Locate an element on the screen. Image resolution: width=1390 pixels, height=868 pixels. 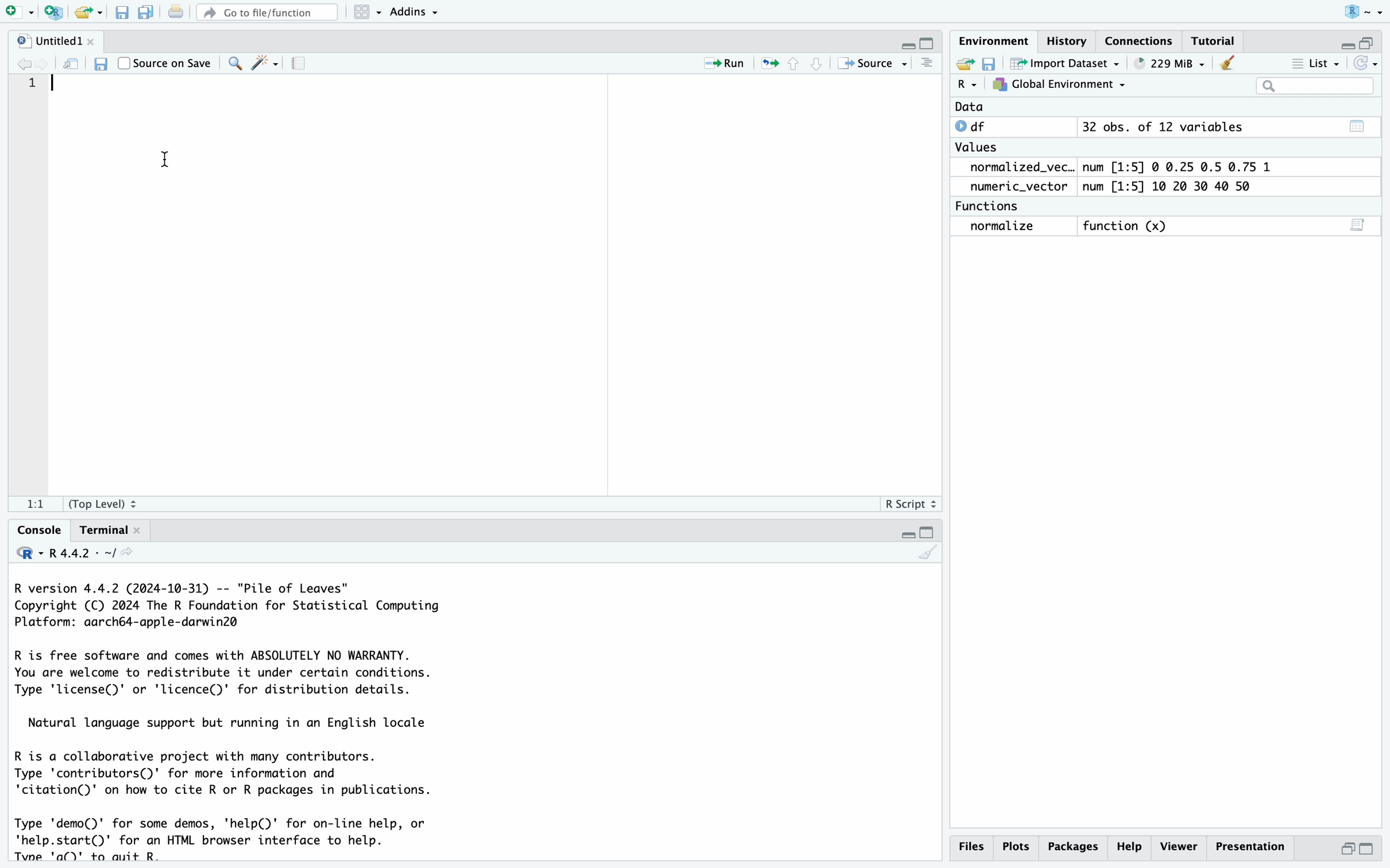
Viewer is located at coordinates (1179, 846).